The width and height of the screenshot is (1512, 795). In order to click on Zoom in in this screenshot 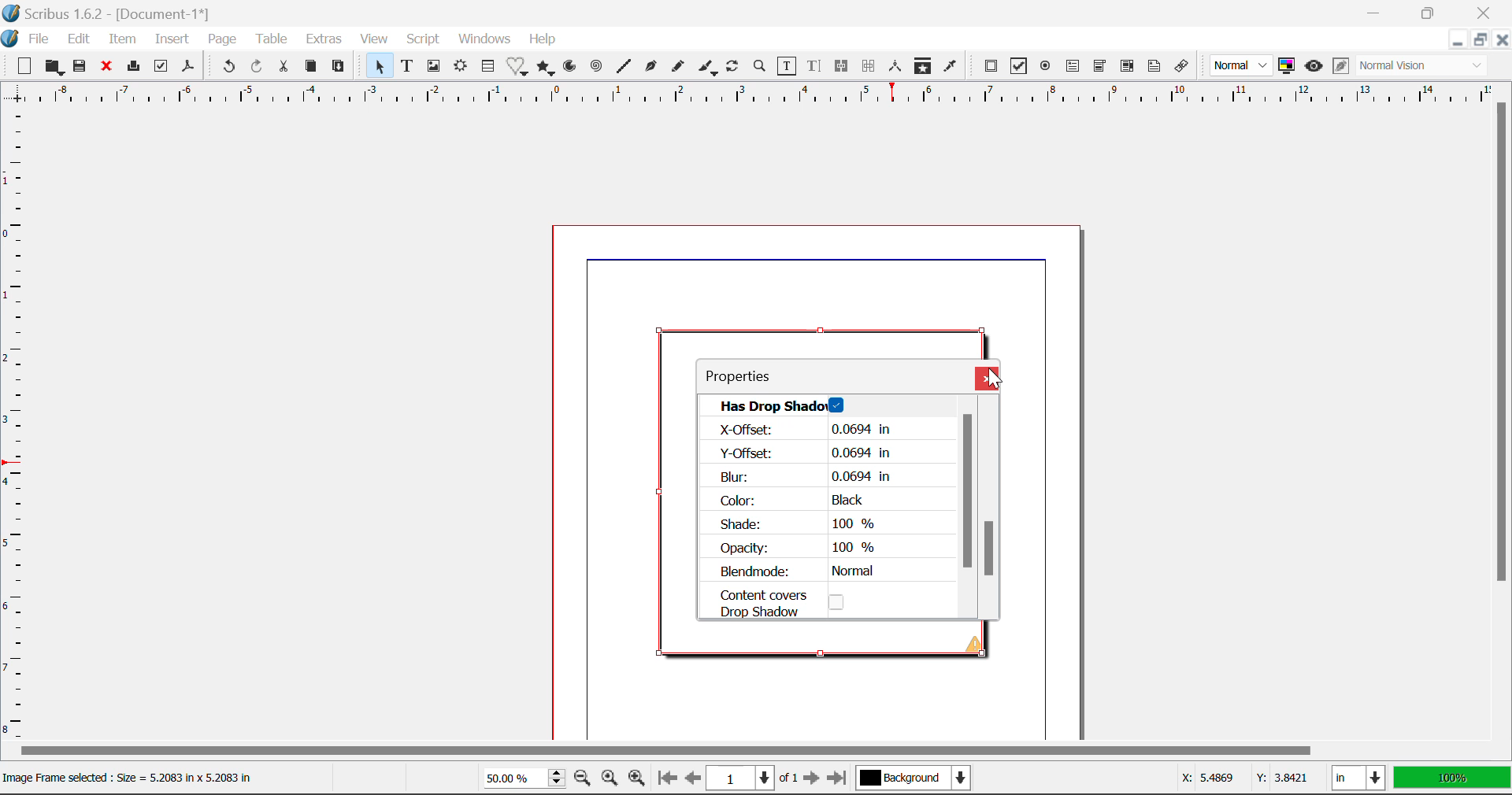, I will do `click(638, 779)`.